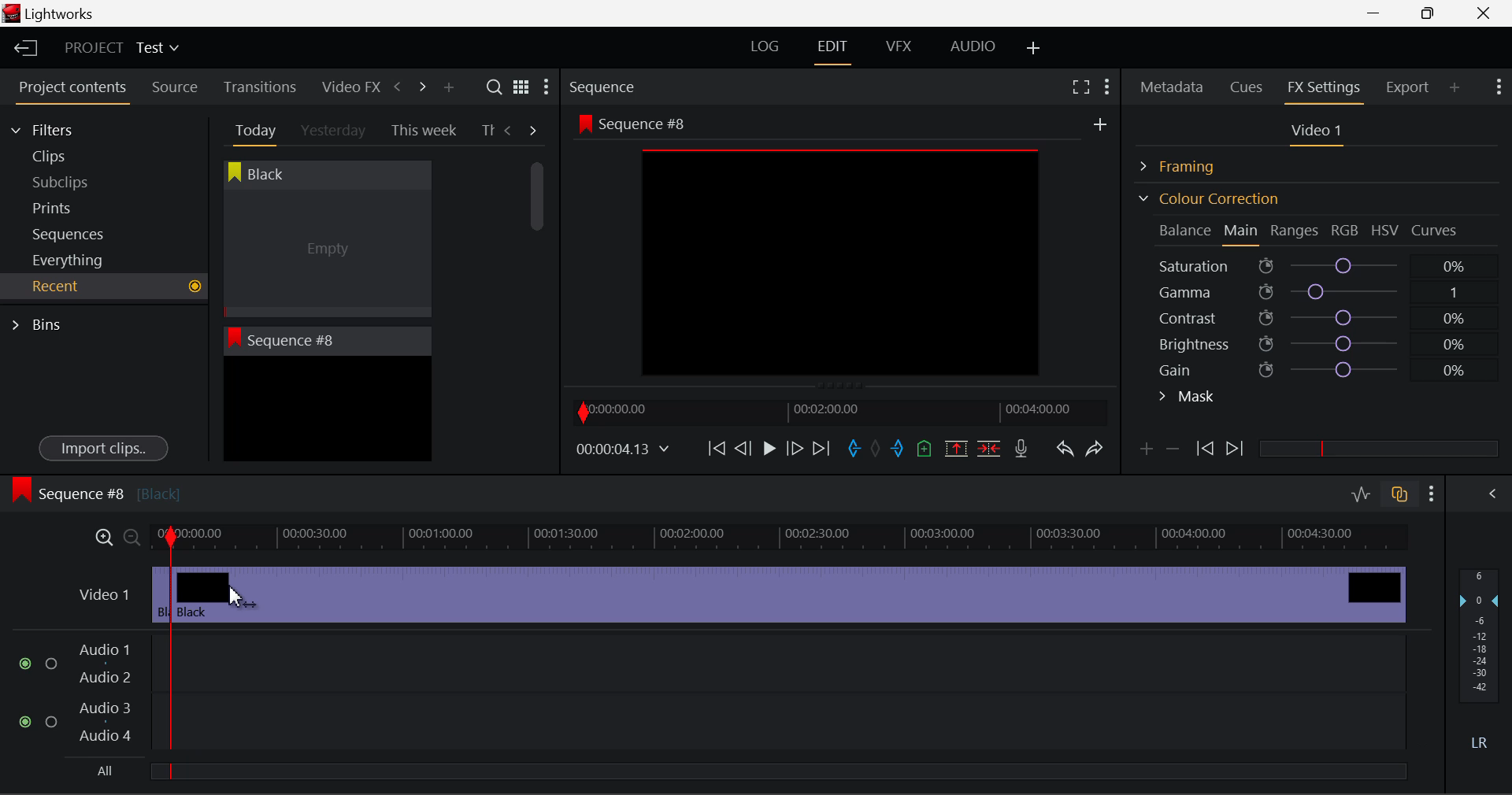 This screenshot has width=1512, height=795. What do you see at coordinates (106, 771) in the screenshot?
I see `All` at bounding box center [106, 771].